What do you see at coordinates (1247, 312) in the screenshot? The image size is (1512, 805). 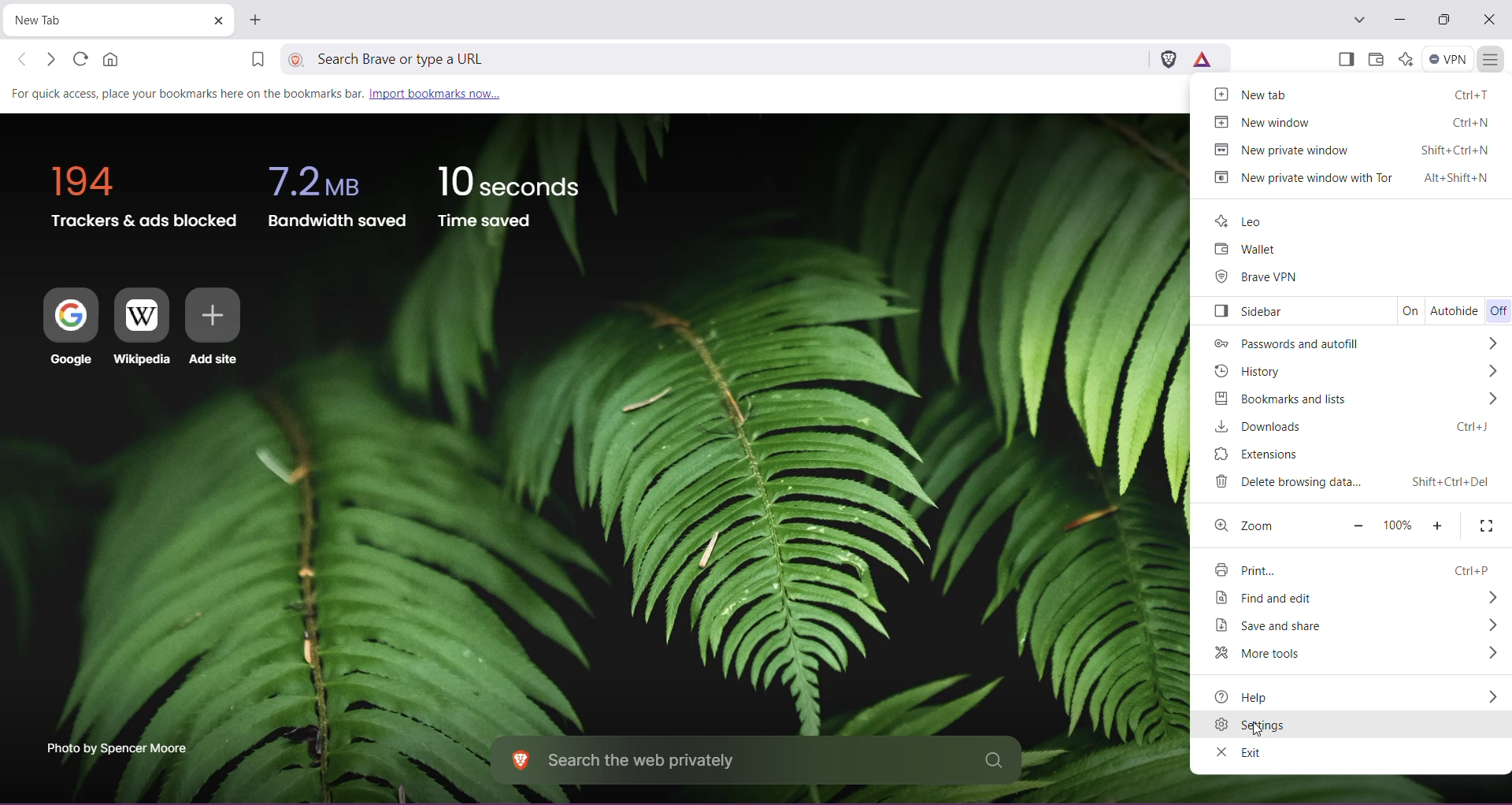 I see `Sidebar` at bounding box center [1247, 312].